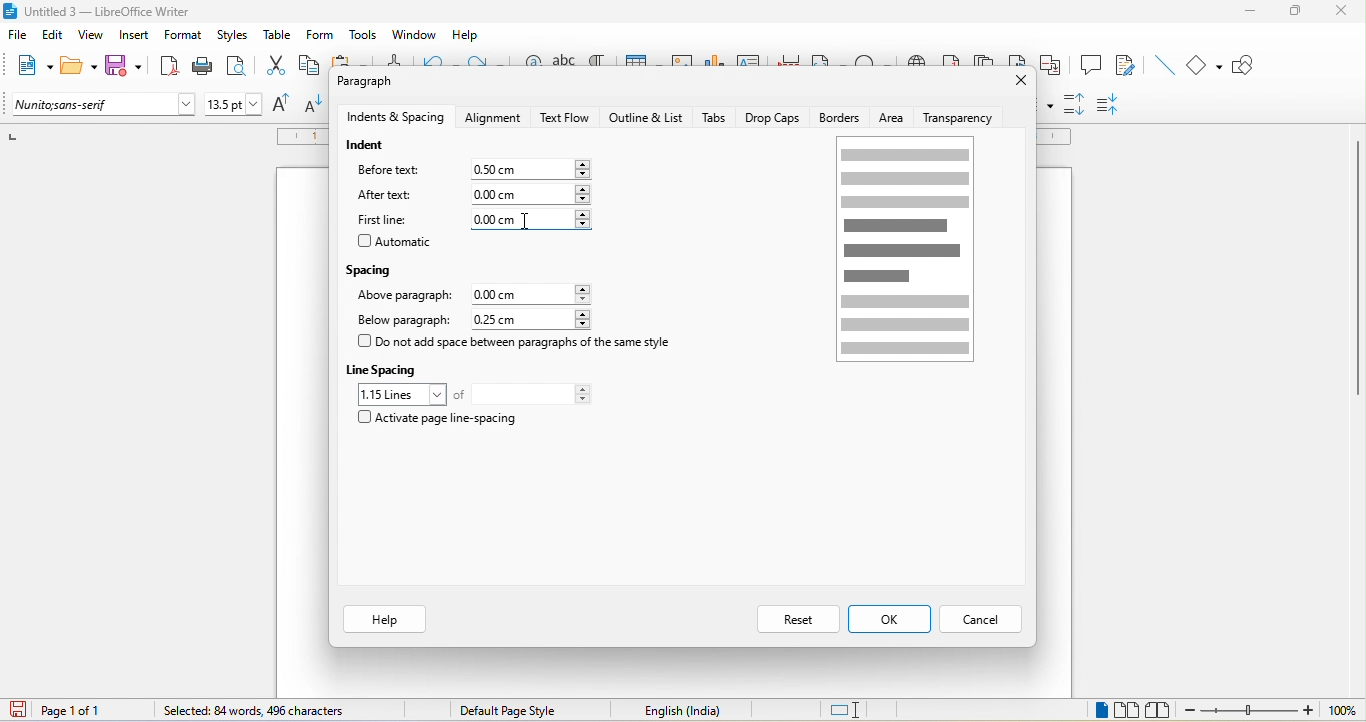 This screenshot has height=722, width=1366. What do you see at coordinates (105, 105) in the screenshot?
I see `font name` at bounding box center [105, 105].